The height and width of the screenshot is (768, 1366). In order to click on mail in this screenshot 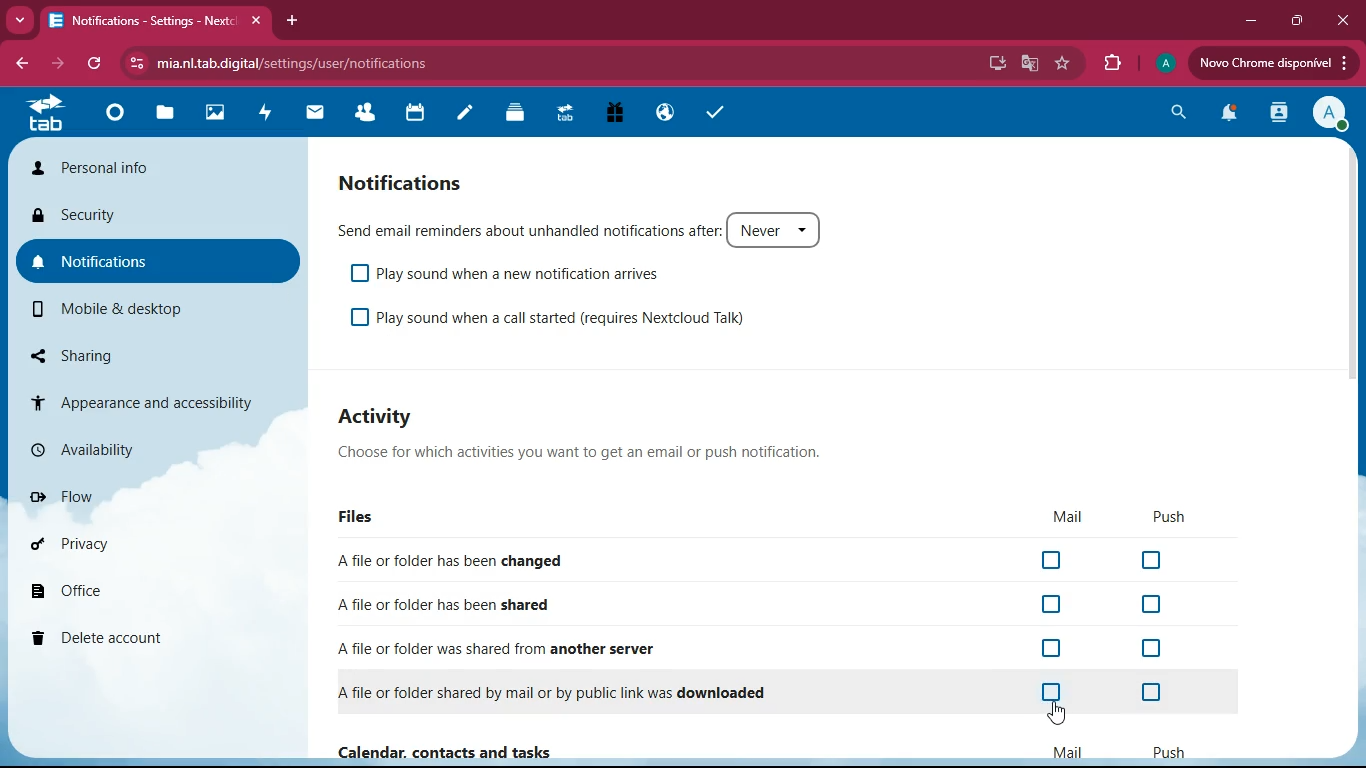, I will do `click(1068, 749)`.